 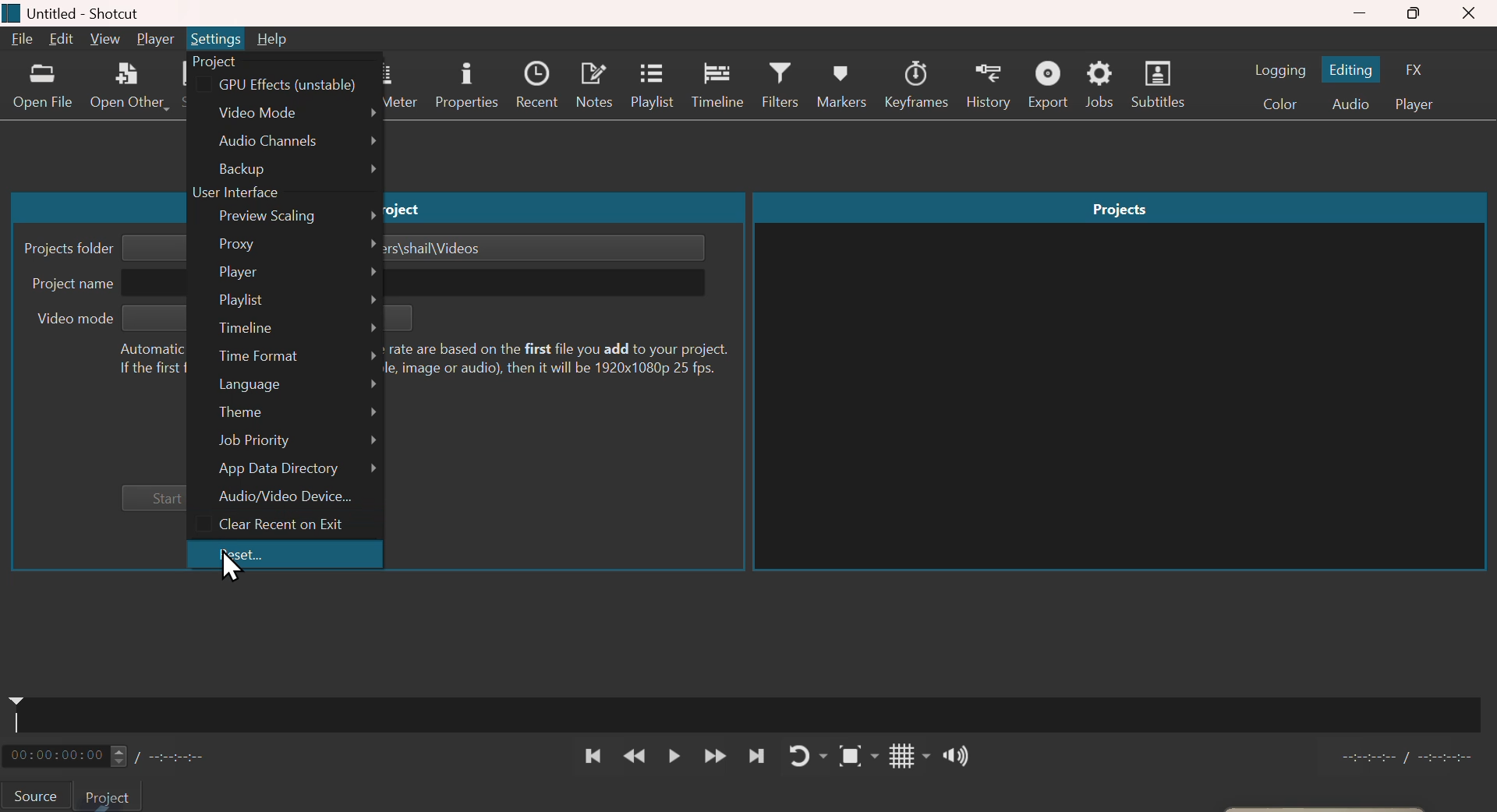 I want to click on Time format, so click(x=285, y=357).